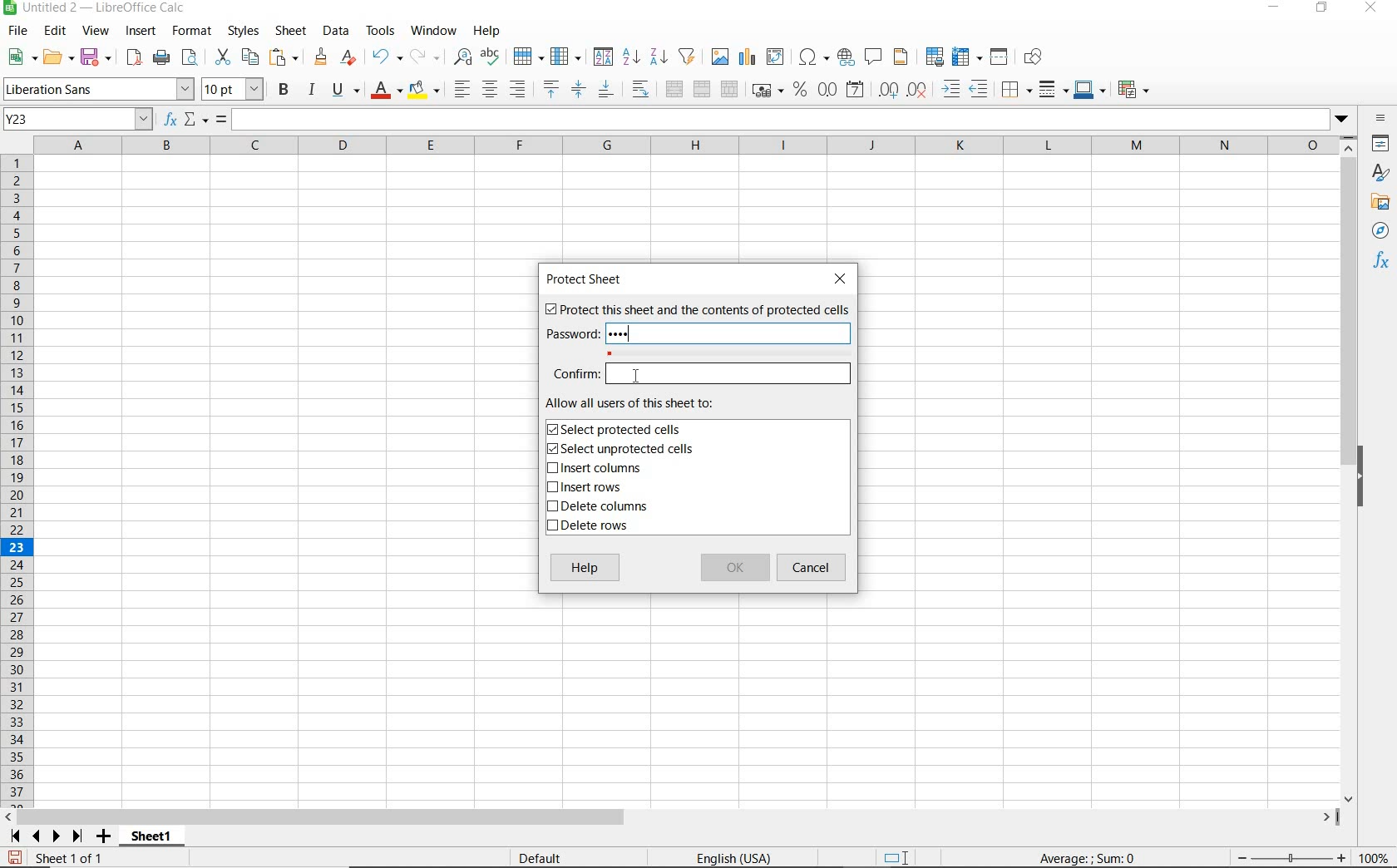 The height and width of the screenshot is (868, 1397). What do you see at coordinates (313, 91) in the screenshot?
I see `ITALIC` at bounding box center [313, 91].